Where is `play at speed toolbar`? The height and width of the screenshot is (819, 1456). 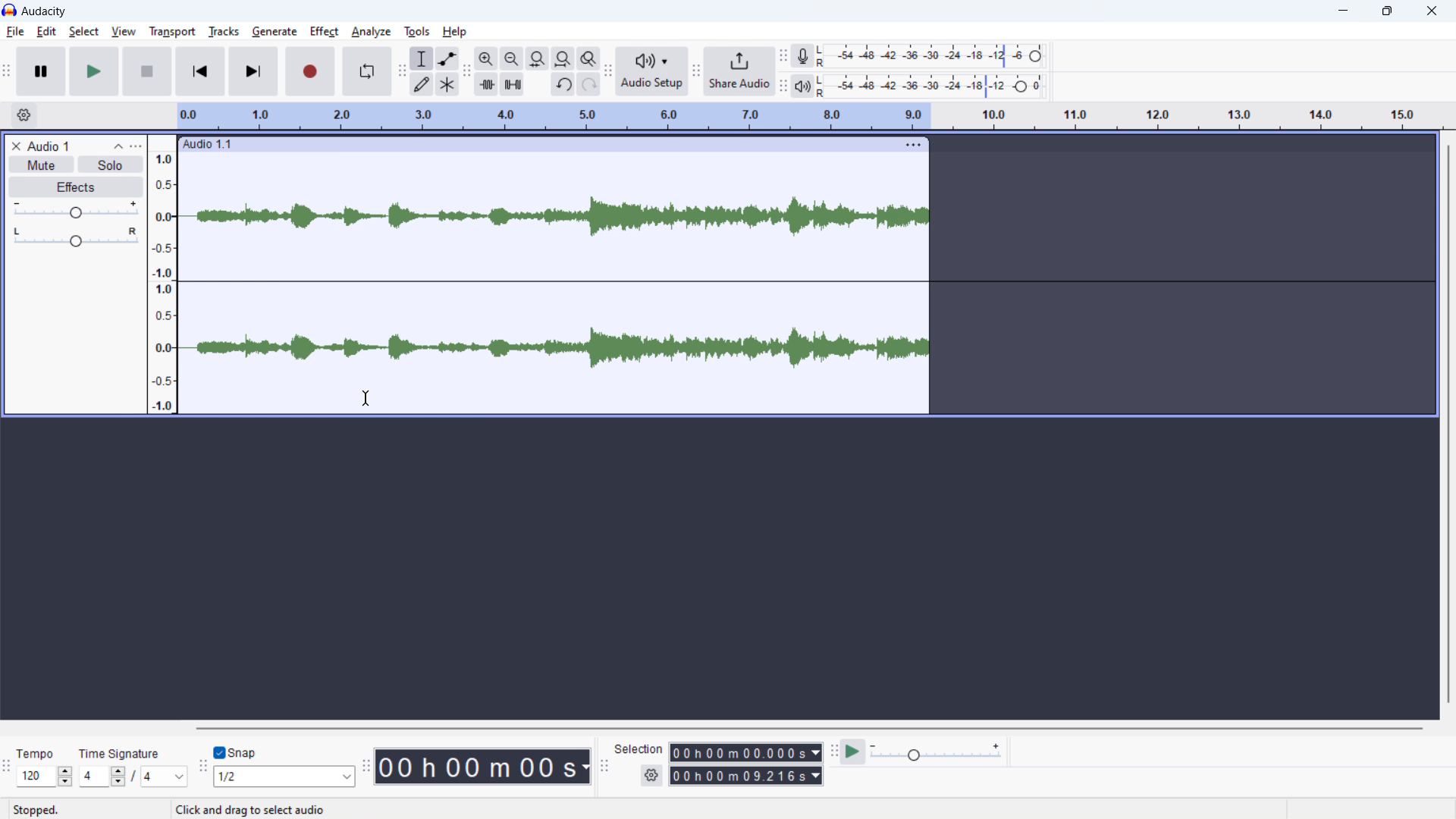 play at speed toolbar is located at coordinates (833, 752).